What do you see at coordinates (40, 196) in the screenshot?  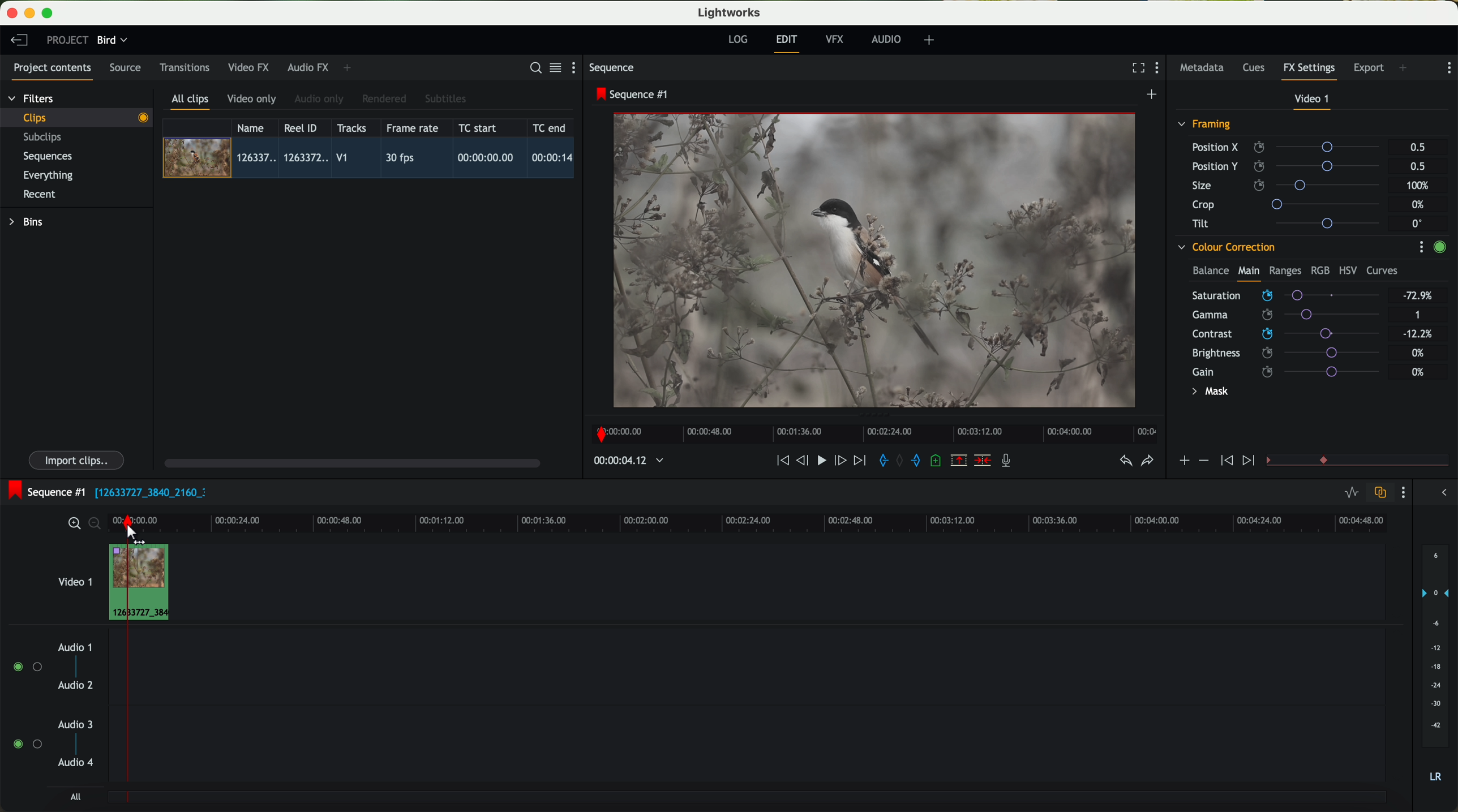 I see `recent` at bounding box center [40, 196].